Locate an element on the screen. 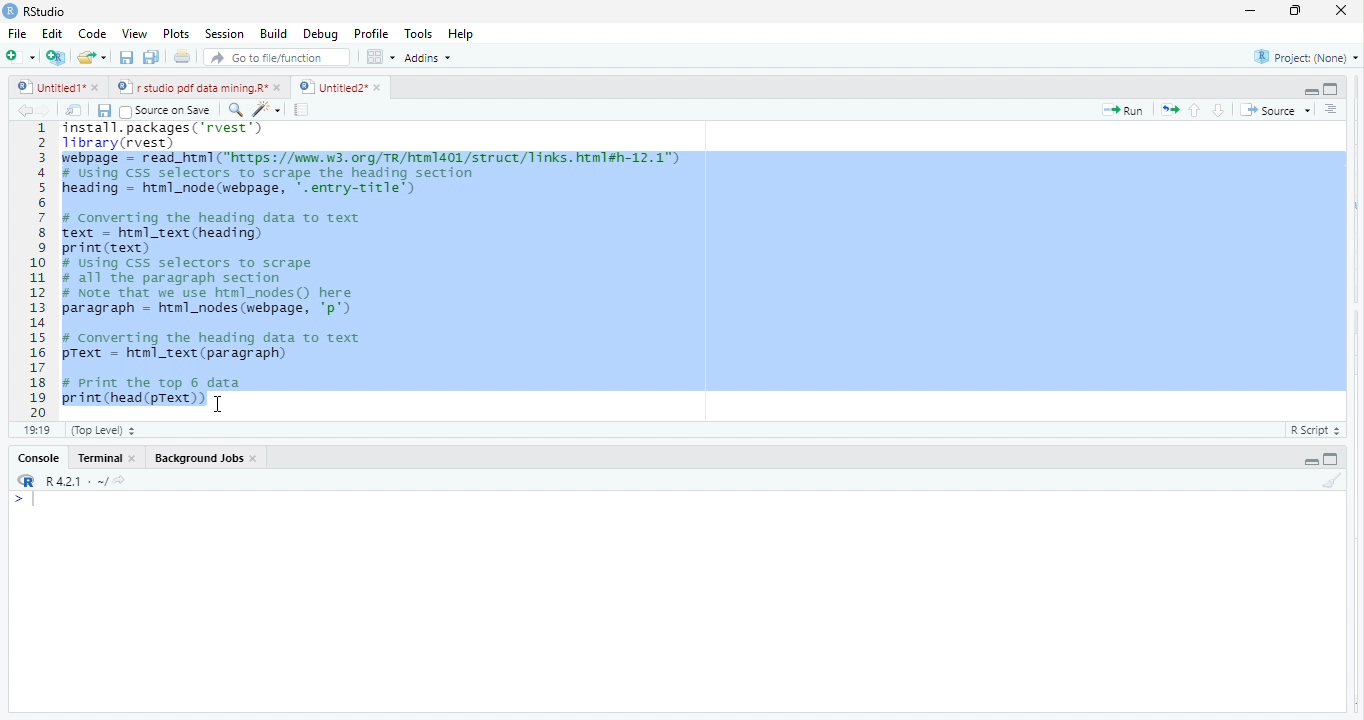  Plots is located at coordinates (175, 34).